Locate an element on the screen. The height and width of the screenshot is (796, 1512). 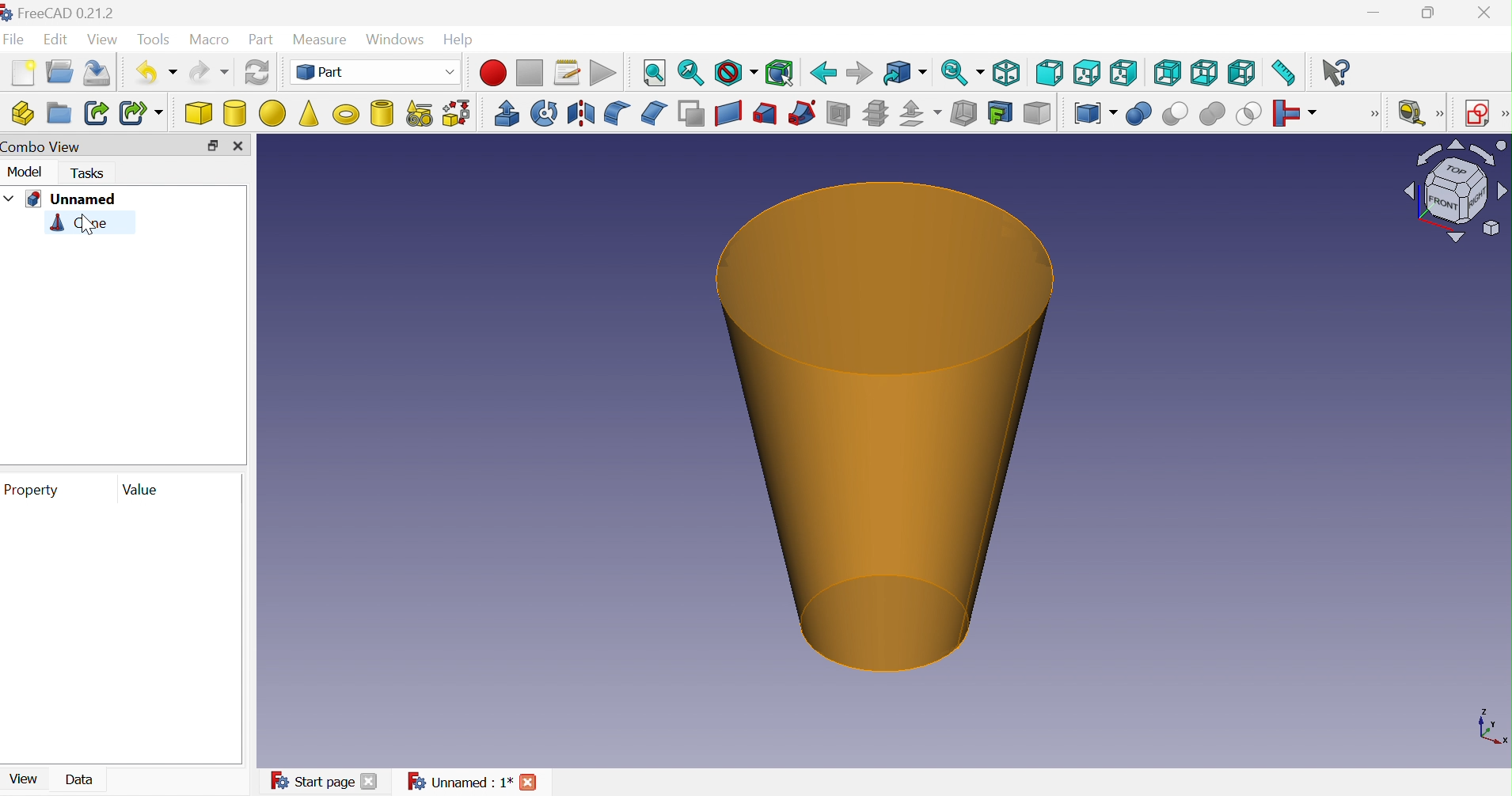
Value is located at coordinates (142, 490).